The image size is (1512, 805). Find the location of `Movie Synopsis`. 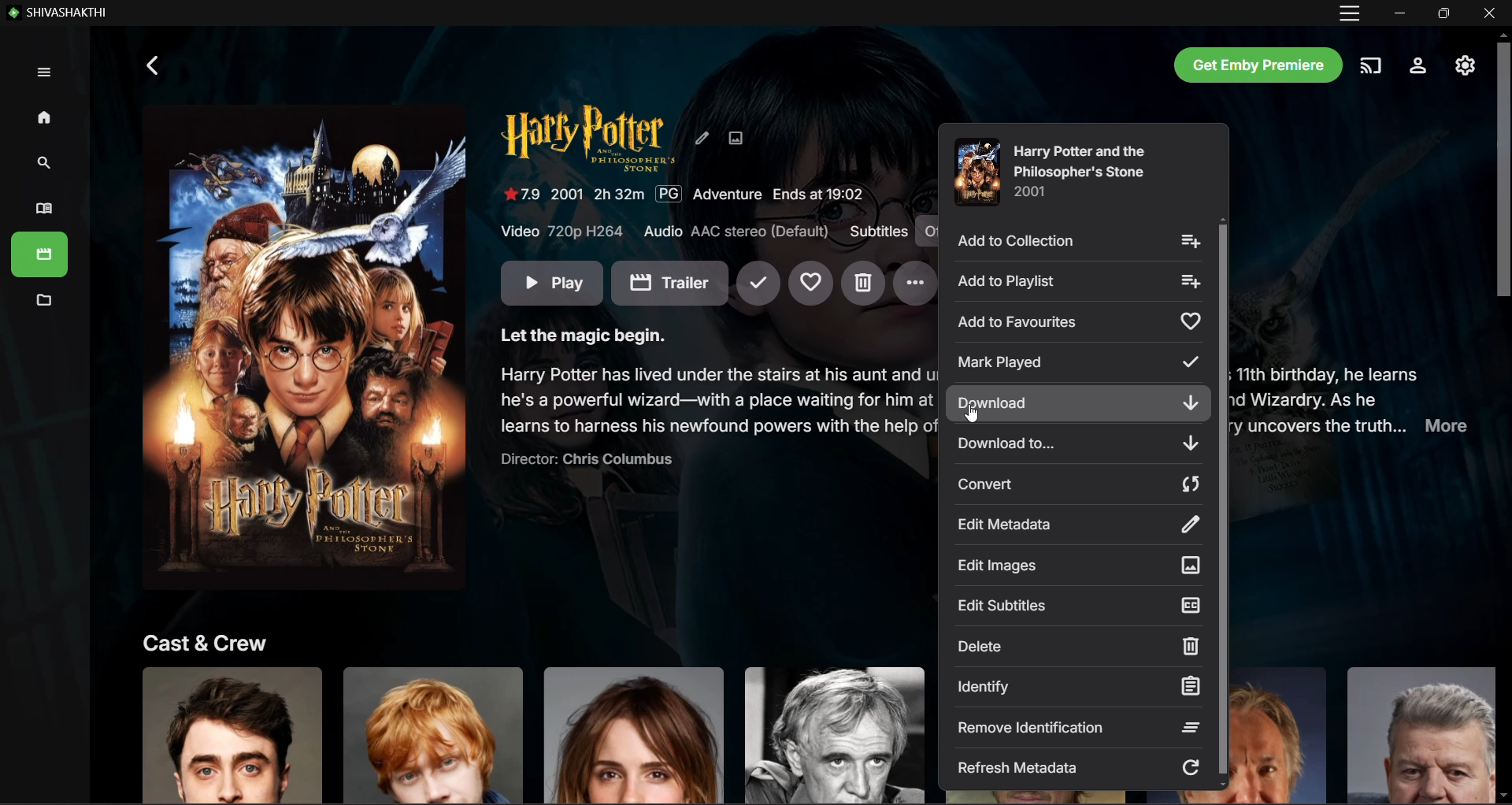

Movie Synopsis is located at coordinates (716, 398).